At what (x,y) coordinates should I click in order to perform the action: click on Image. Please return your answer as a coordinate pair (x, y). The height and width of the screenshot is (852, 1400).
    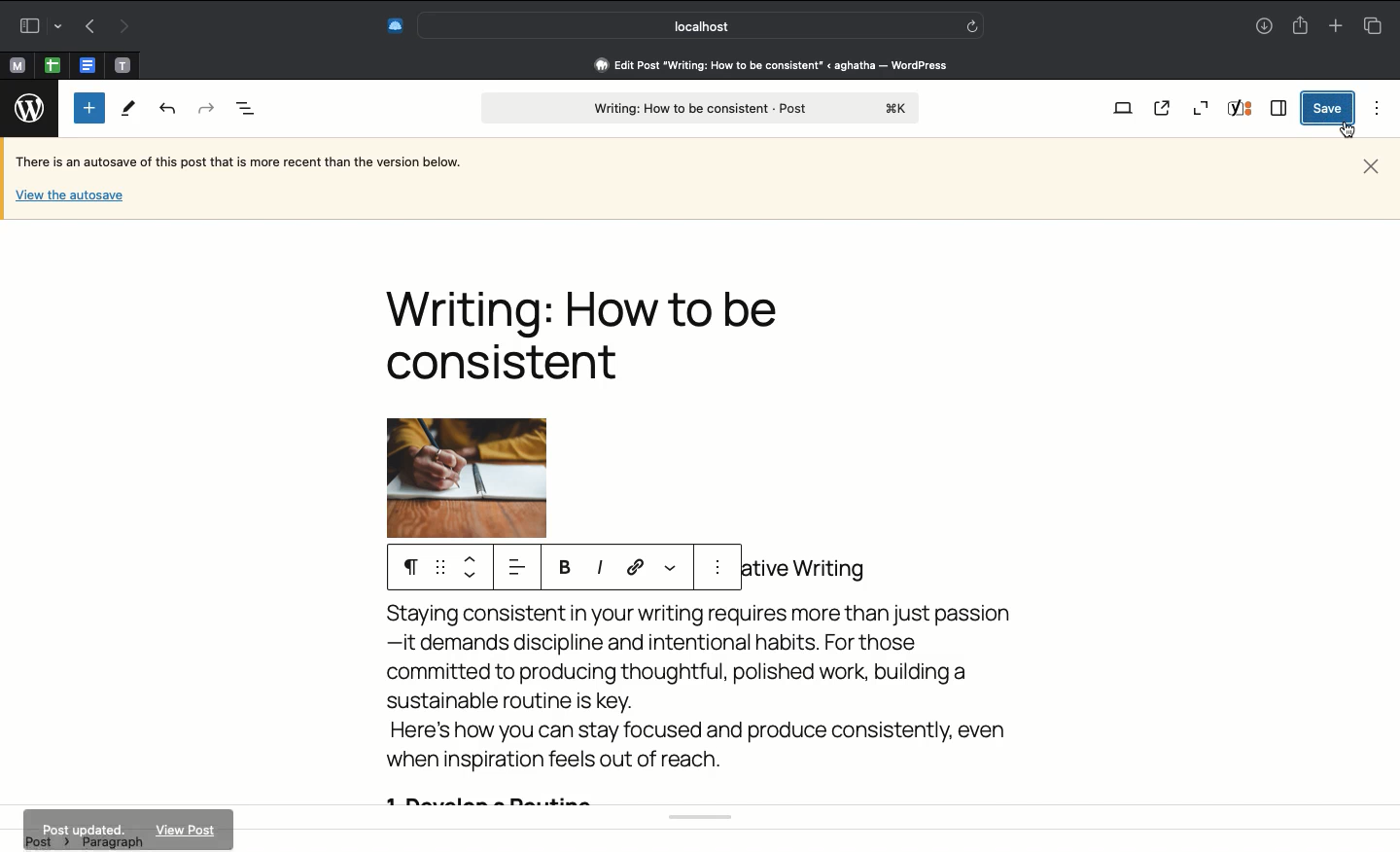
    Looking at the image, I should click on (490, 478).